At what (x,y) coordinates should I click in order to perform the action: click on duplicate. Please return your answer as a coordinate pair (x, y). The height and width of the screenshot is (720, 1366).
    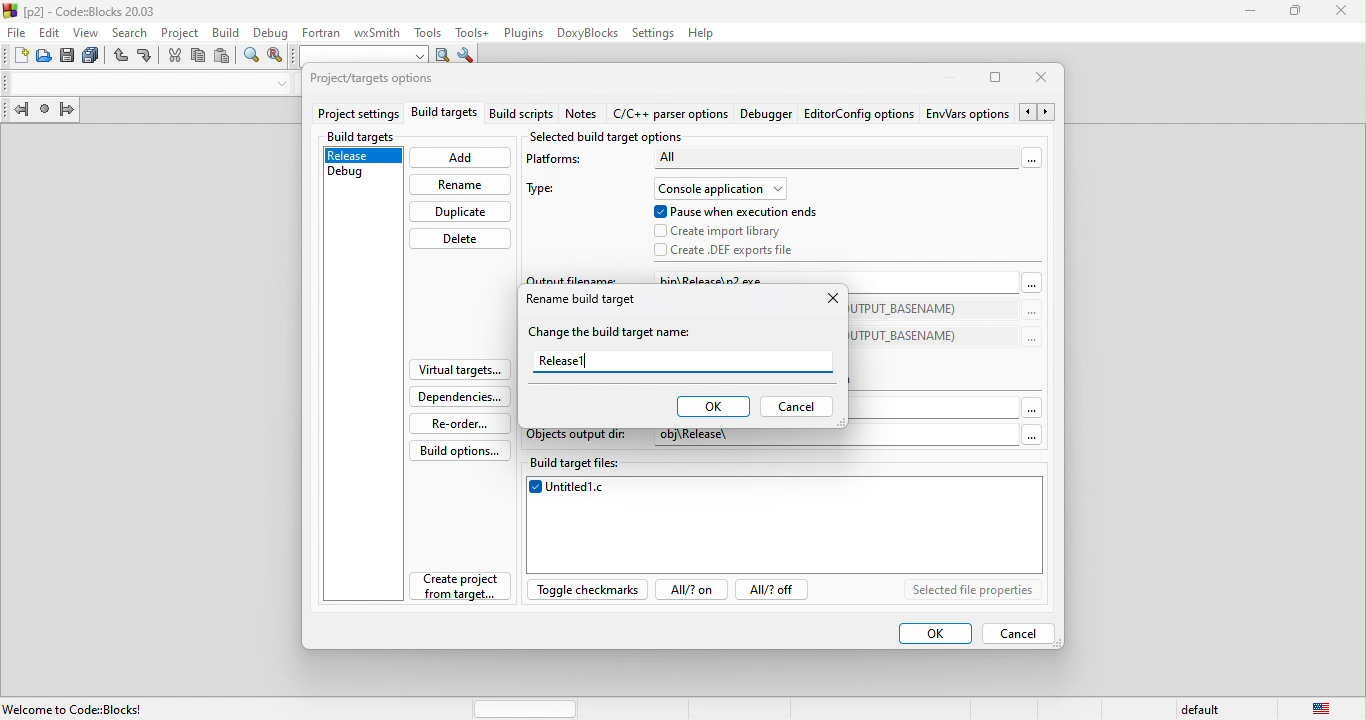
    Looking at the image, I should click on (461, 213).